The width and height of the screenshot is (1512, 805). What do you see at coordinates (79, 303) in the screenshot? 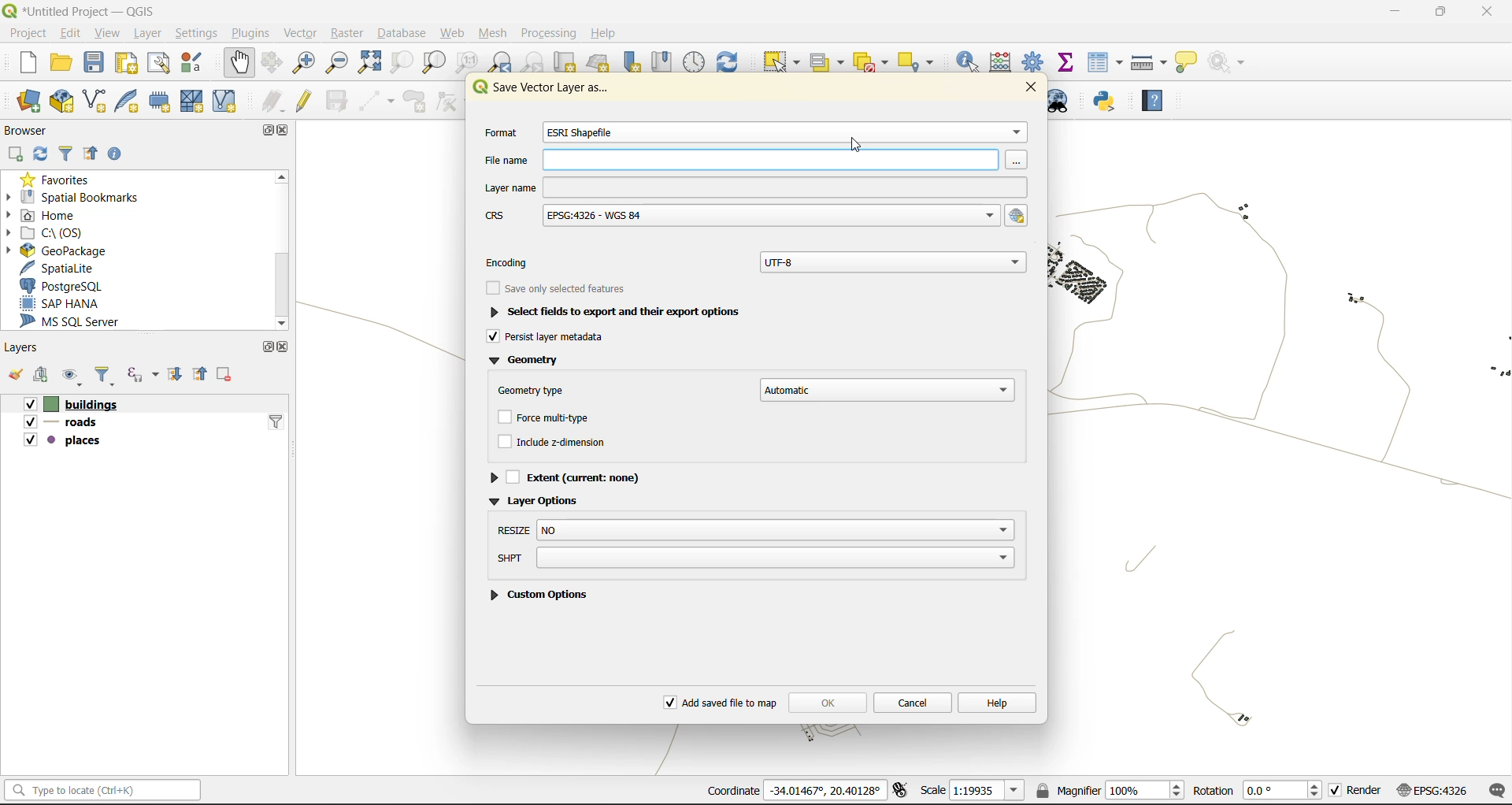
I see `sap hana` at bounding box center [79, 303].